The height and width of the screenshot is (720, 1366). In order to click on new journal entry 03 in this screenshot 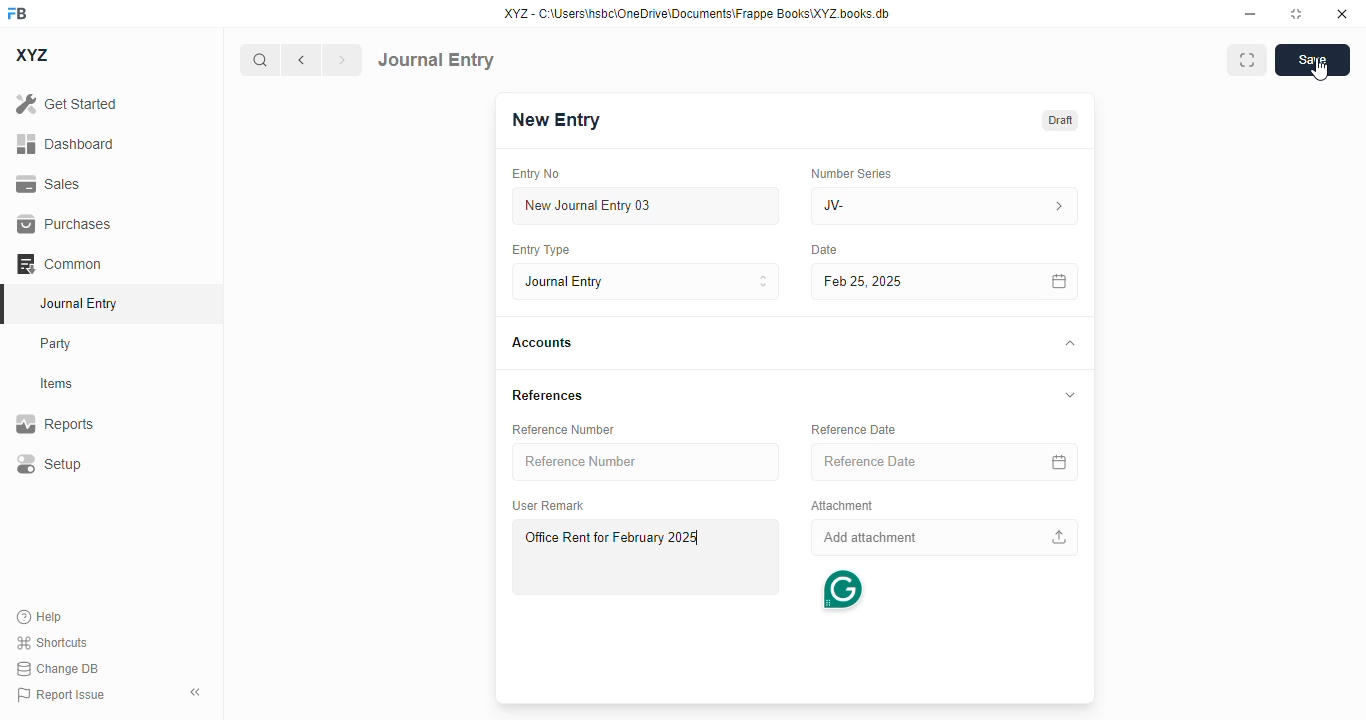, I will do `click(644, 206)`.